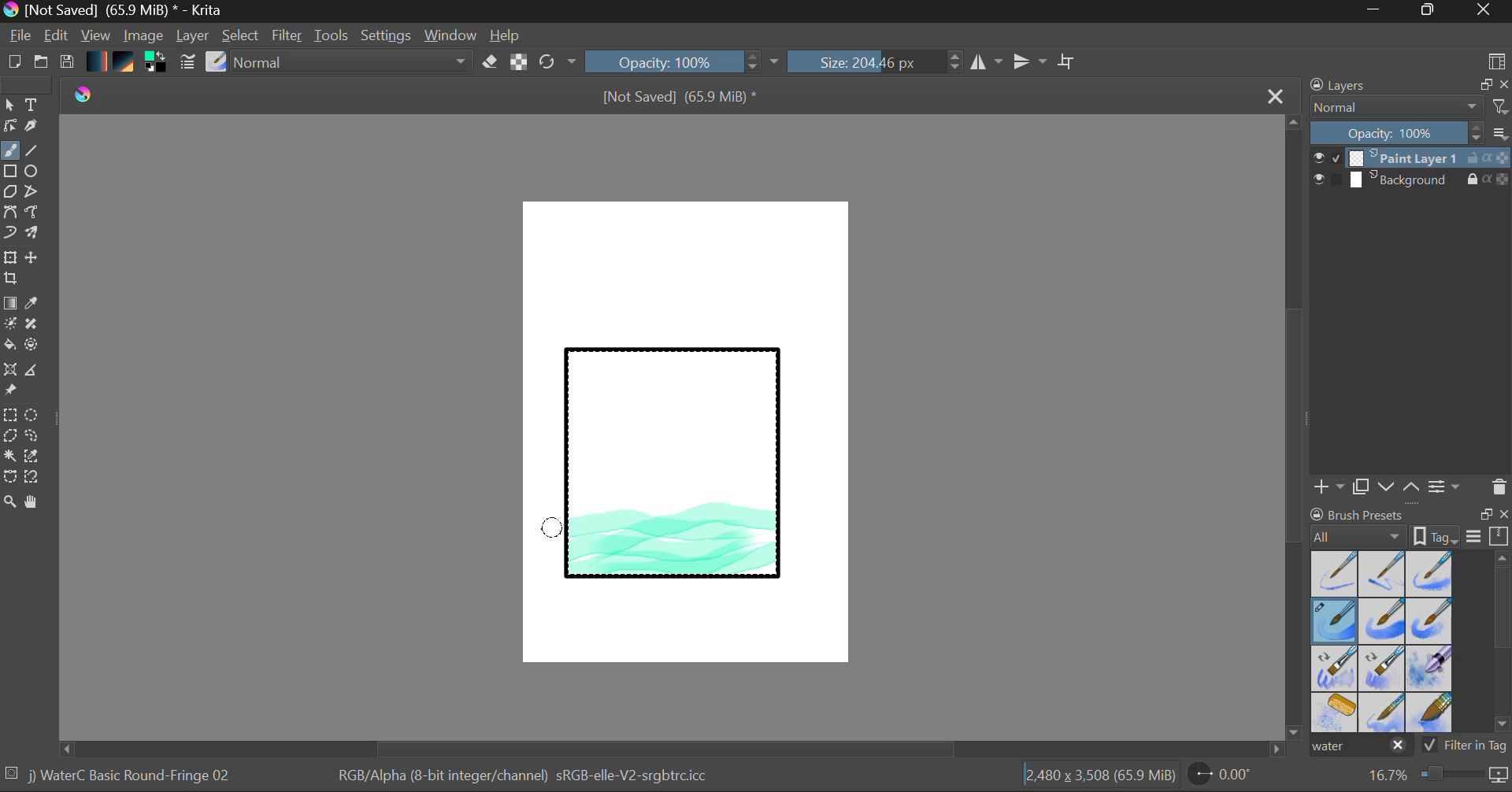 Image resolution: width=1512 pixels, height=792 pixels. Describe the element at coordinates (95, 60) in the screenshot. I see `Gradient` at that location.